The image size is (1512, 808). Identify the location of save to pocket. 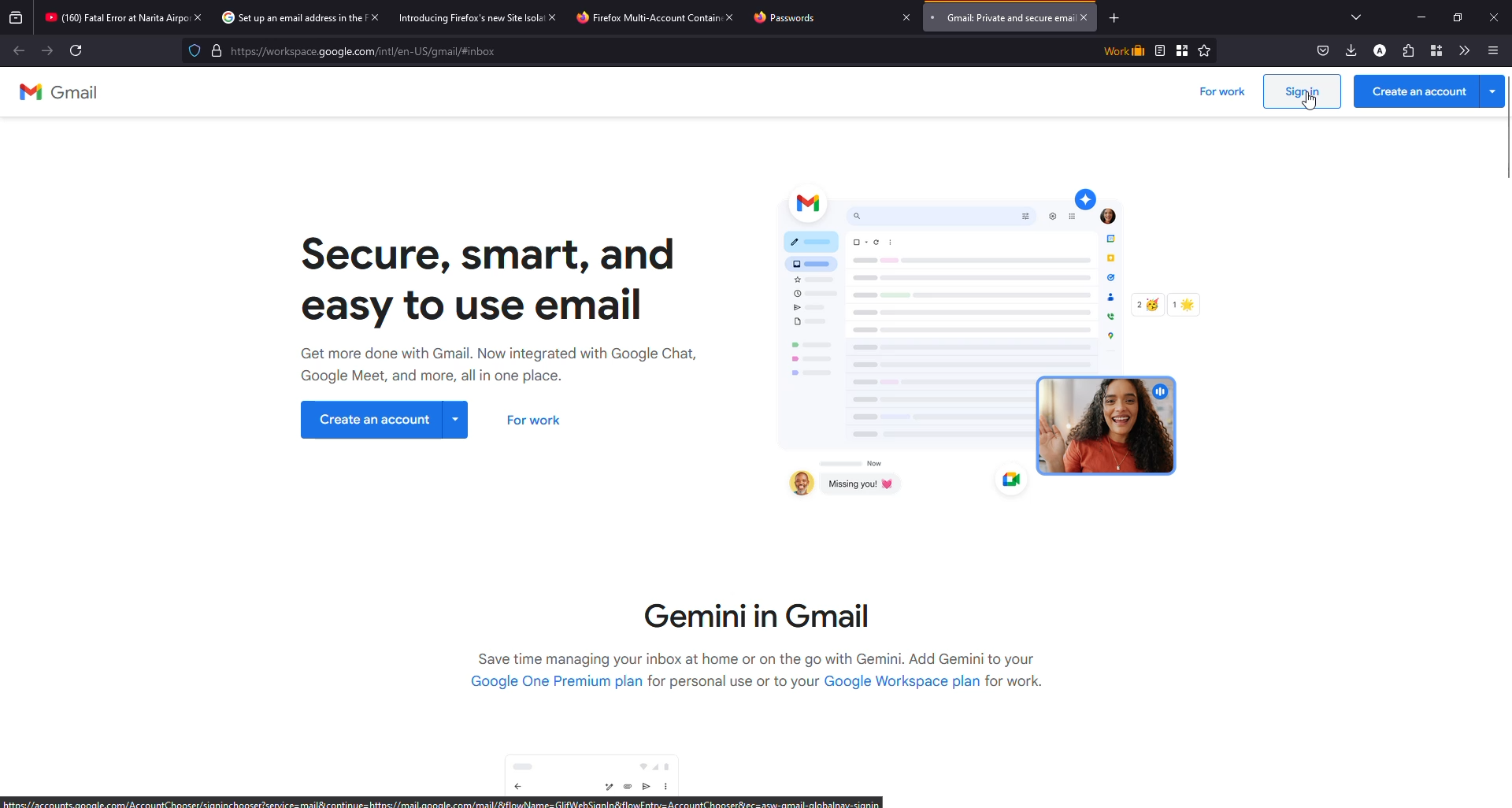
(1321, 50).